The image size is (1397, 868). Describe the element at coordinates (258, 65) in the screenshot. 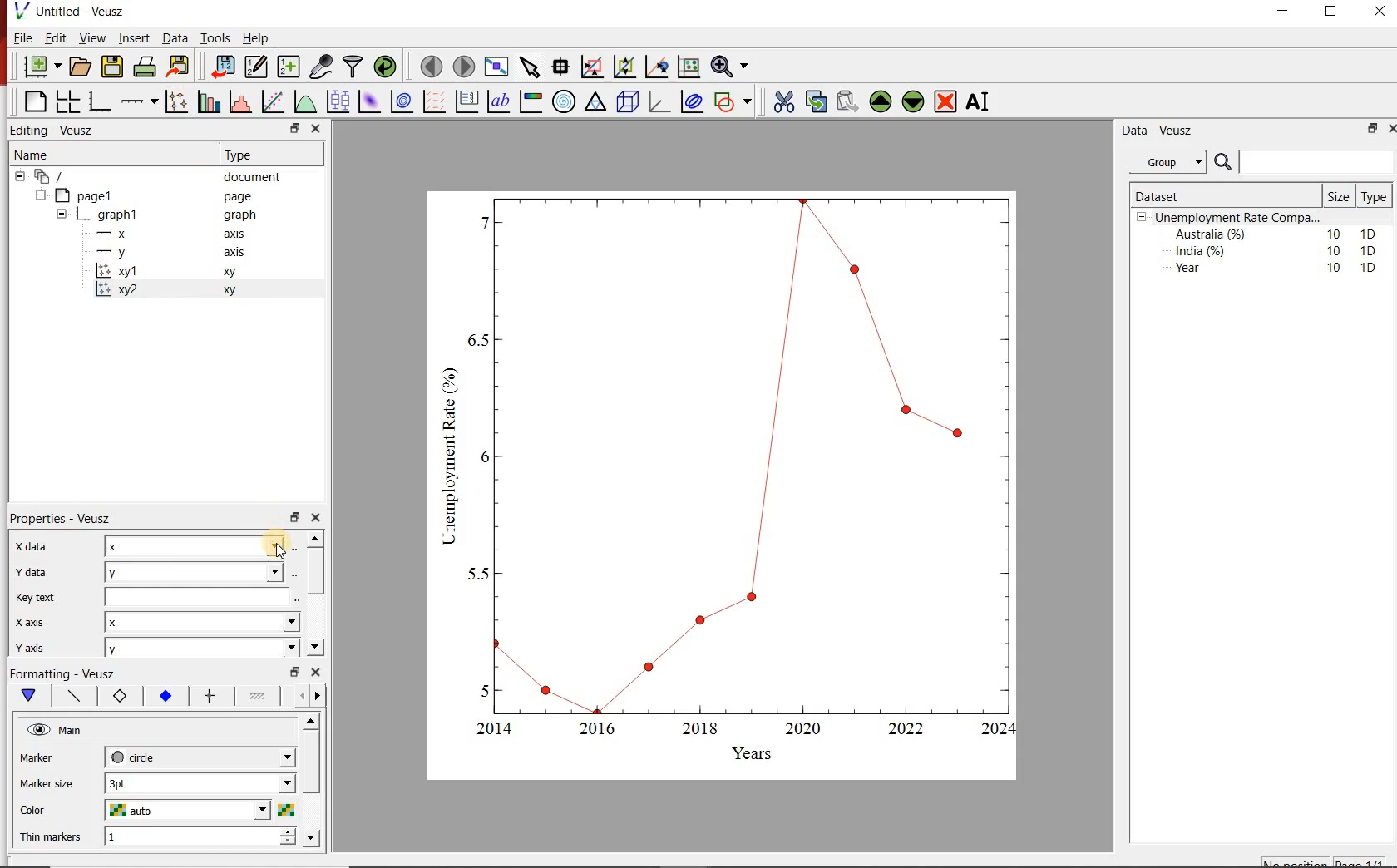

I see `edit and enter new datasets` at that location.